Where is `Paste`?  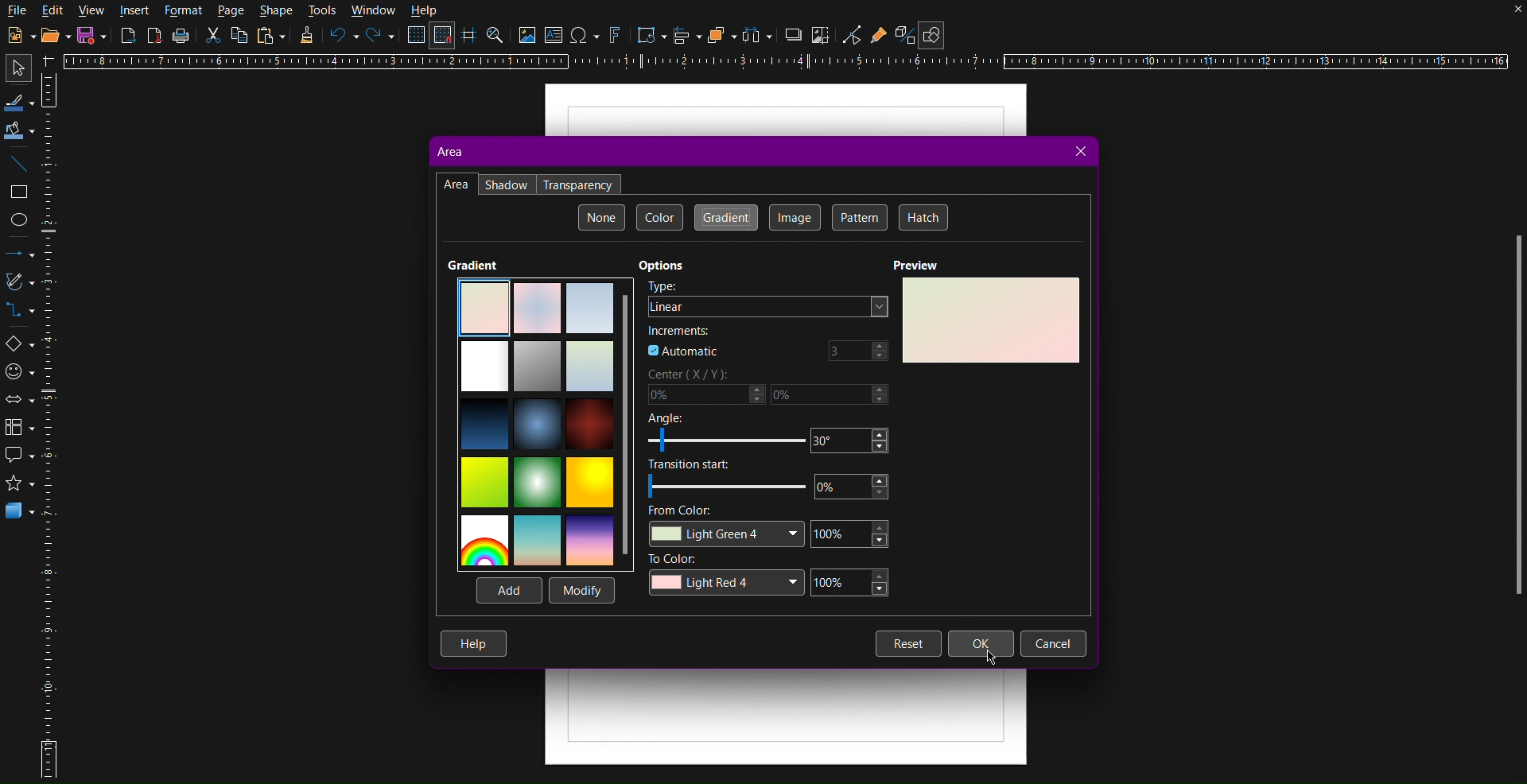 Paste is located at coordinates (273, 37).